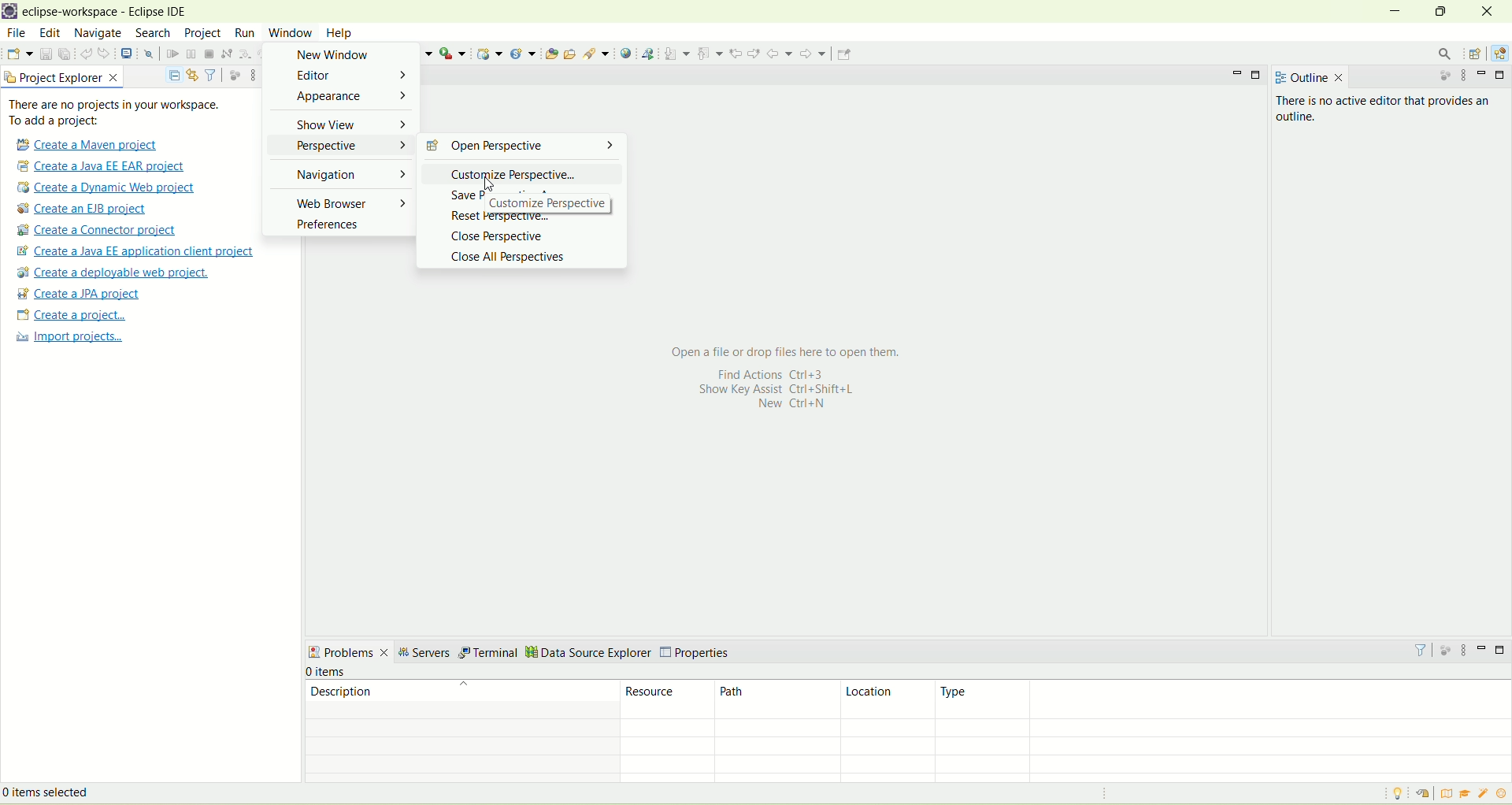 This screenshot has width=1512, height=805. Describe the element at coordinates (348, 126) in the screenshot. I see `show view` at that location.